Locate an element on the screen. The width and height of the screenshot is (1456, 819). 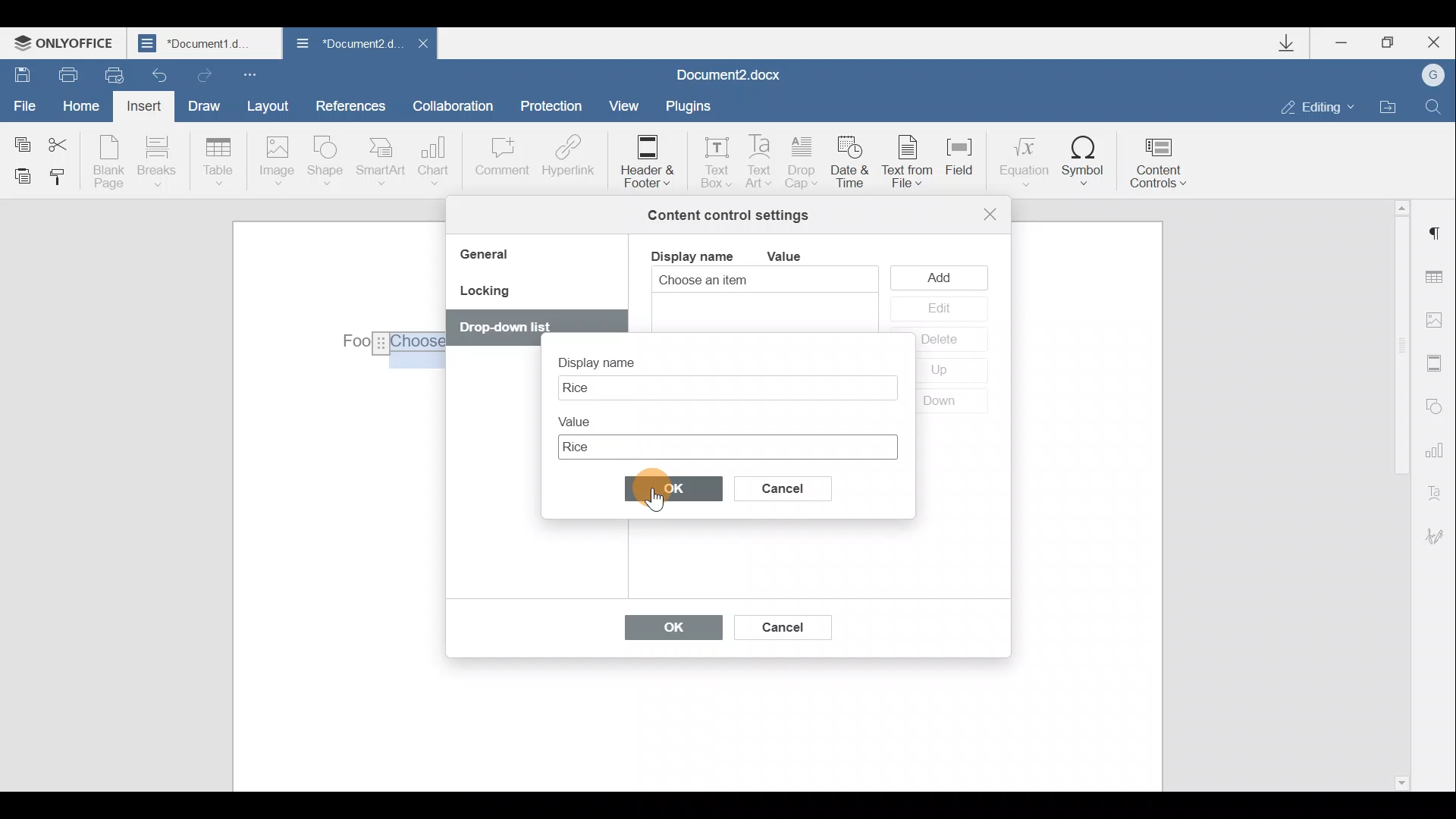
ONLYOFFICE is located at coordinates (67, 42).